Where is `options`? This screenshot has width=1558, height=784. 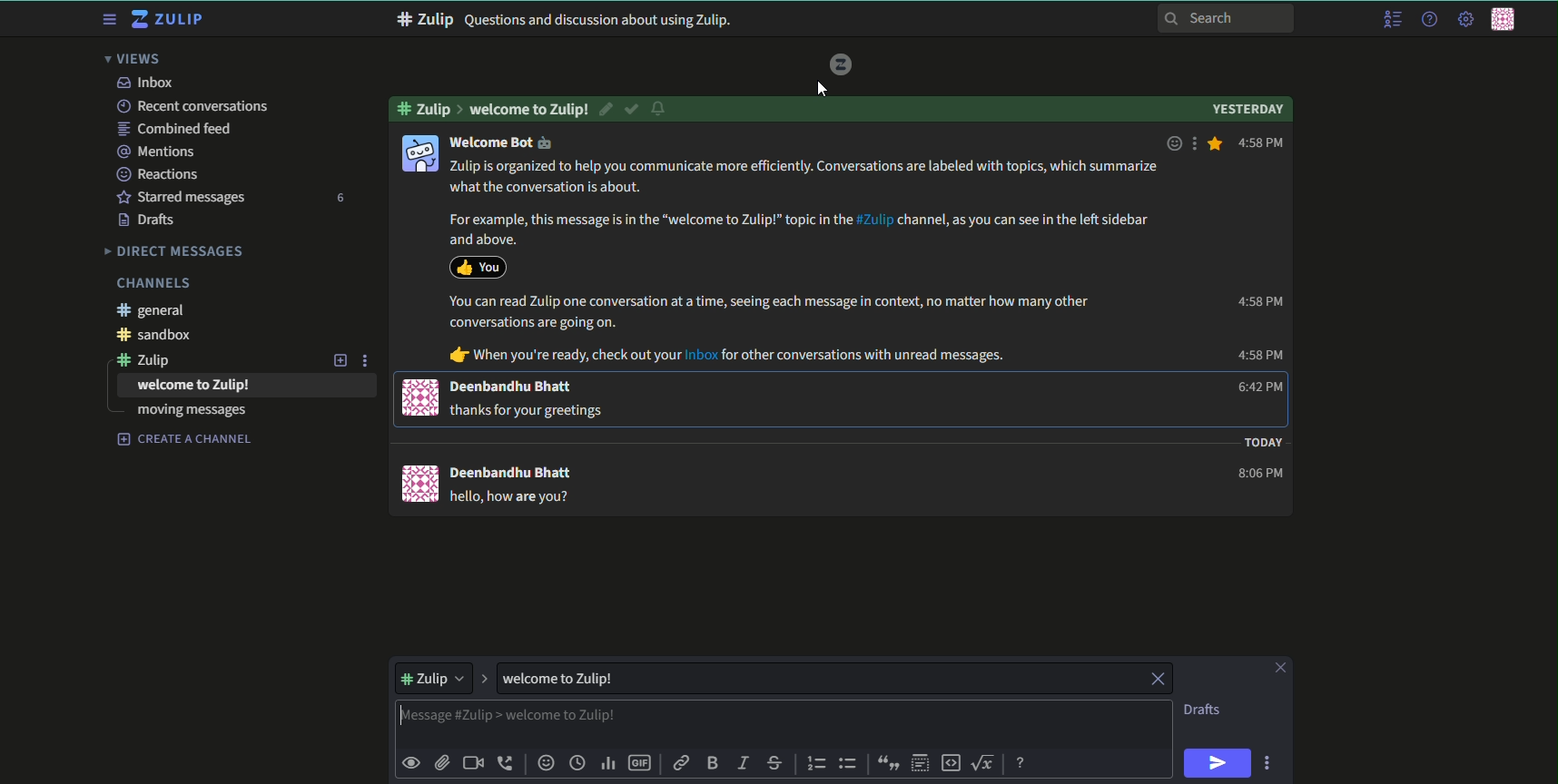
options is located at coordinates (1270, 762).